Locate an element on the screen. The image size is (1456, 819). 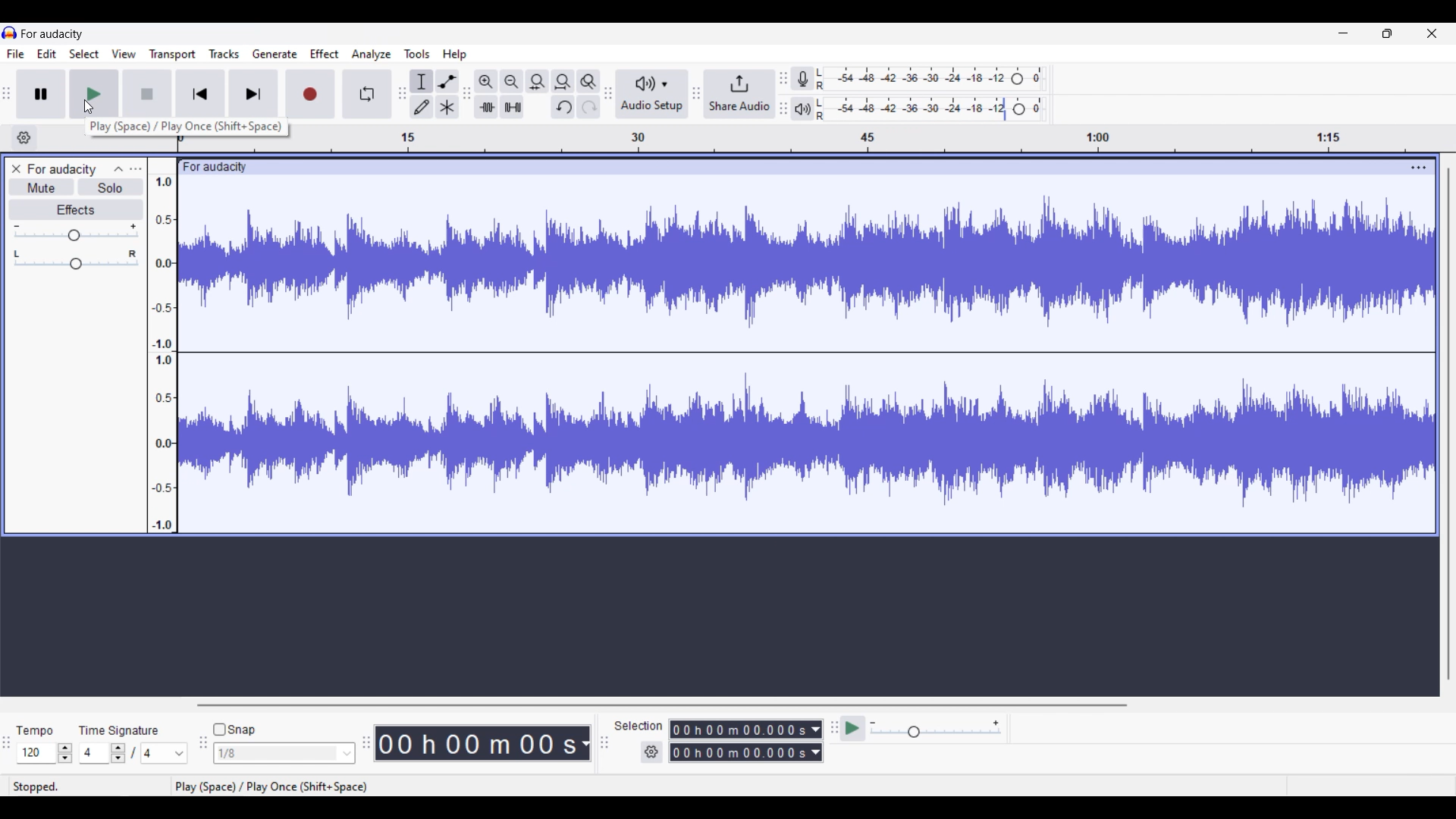
Close track is located at coordinates (17, 169).